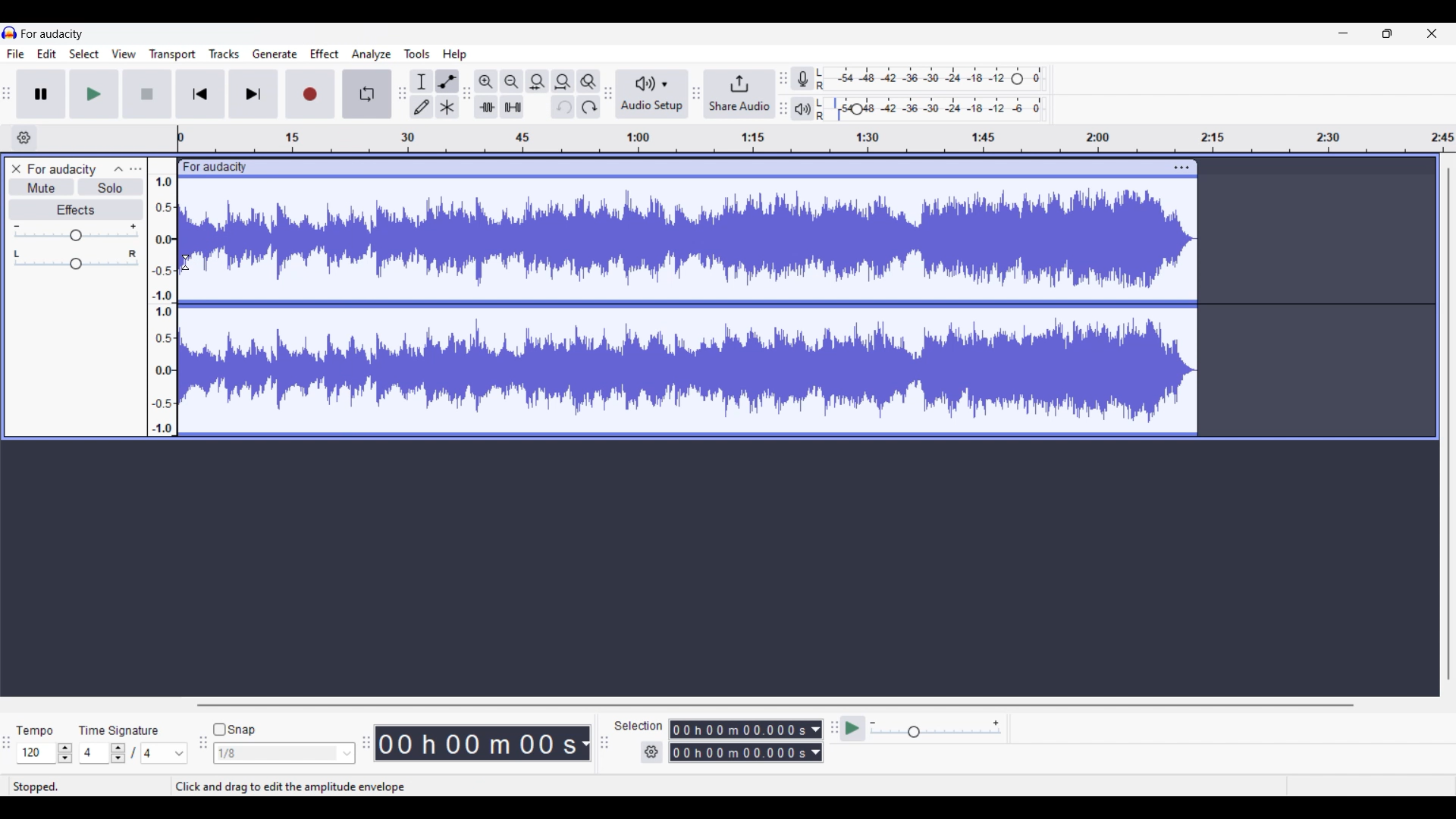 The width and height of the screenshot is (1456, 819). I want to click on Show in smaller tab, so click(1388, 33).